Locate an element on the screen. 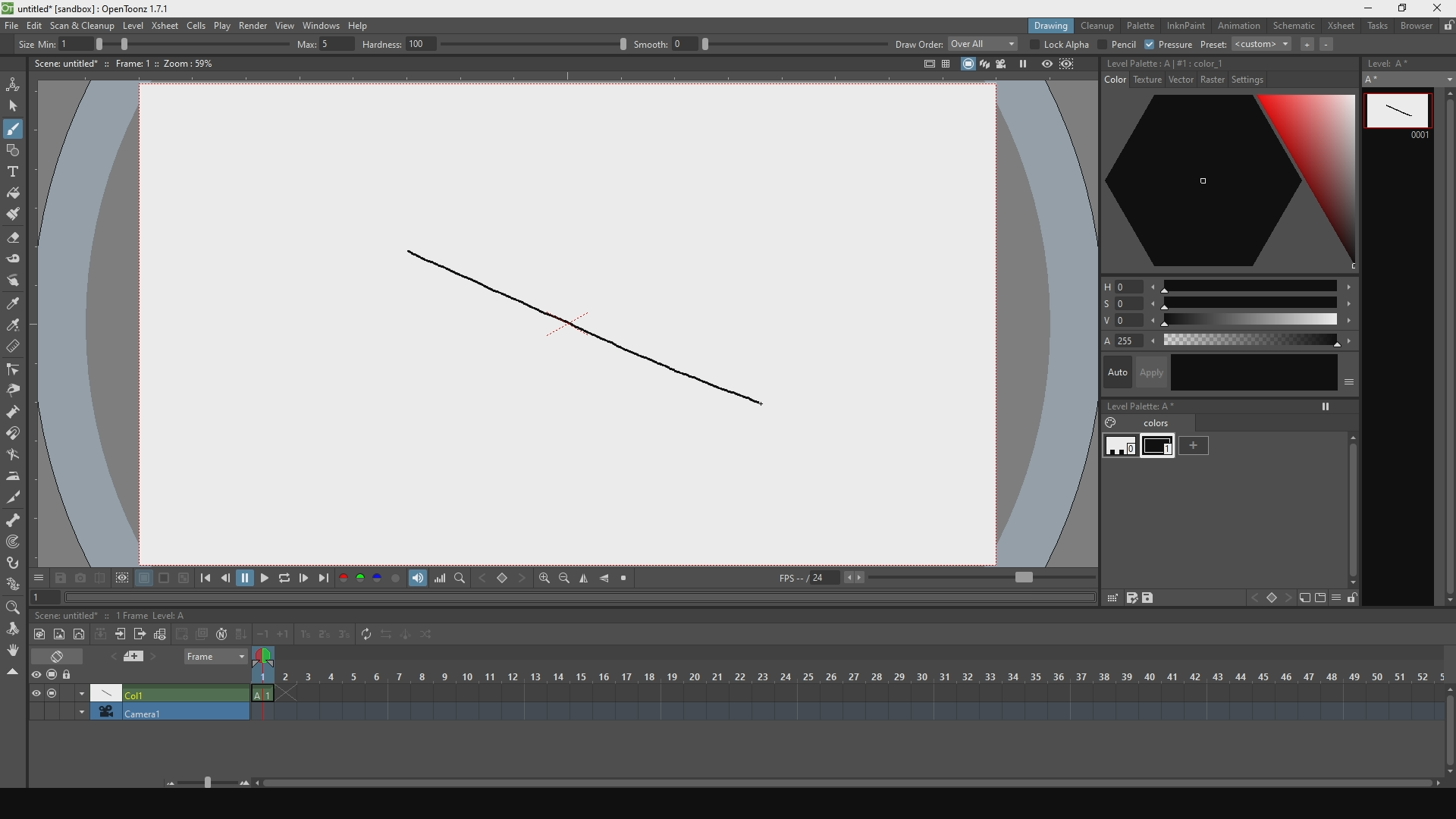 Image resolution: width=1456 pixels, height=819 pixels. size min is located at coordinates (58, 43).